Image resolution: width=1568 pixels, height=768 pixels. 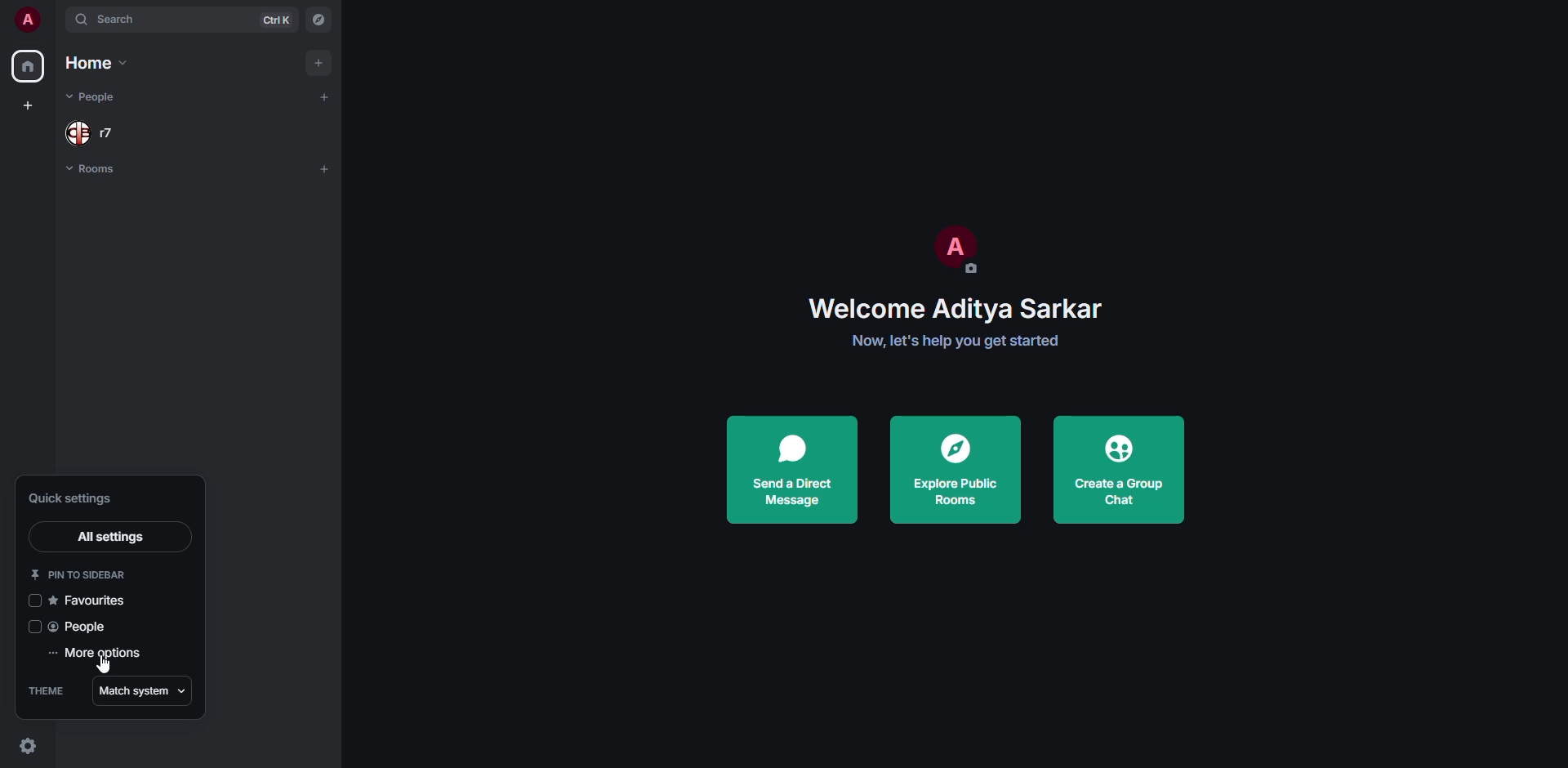 What do you see at coordinates (143, 689) in the screenshot?
I see `match system` at bounding box center [143, 689].